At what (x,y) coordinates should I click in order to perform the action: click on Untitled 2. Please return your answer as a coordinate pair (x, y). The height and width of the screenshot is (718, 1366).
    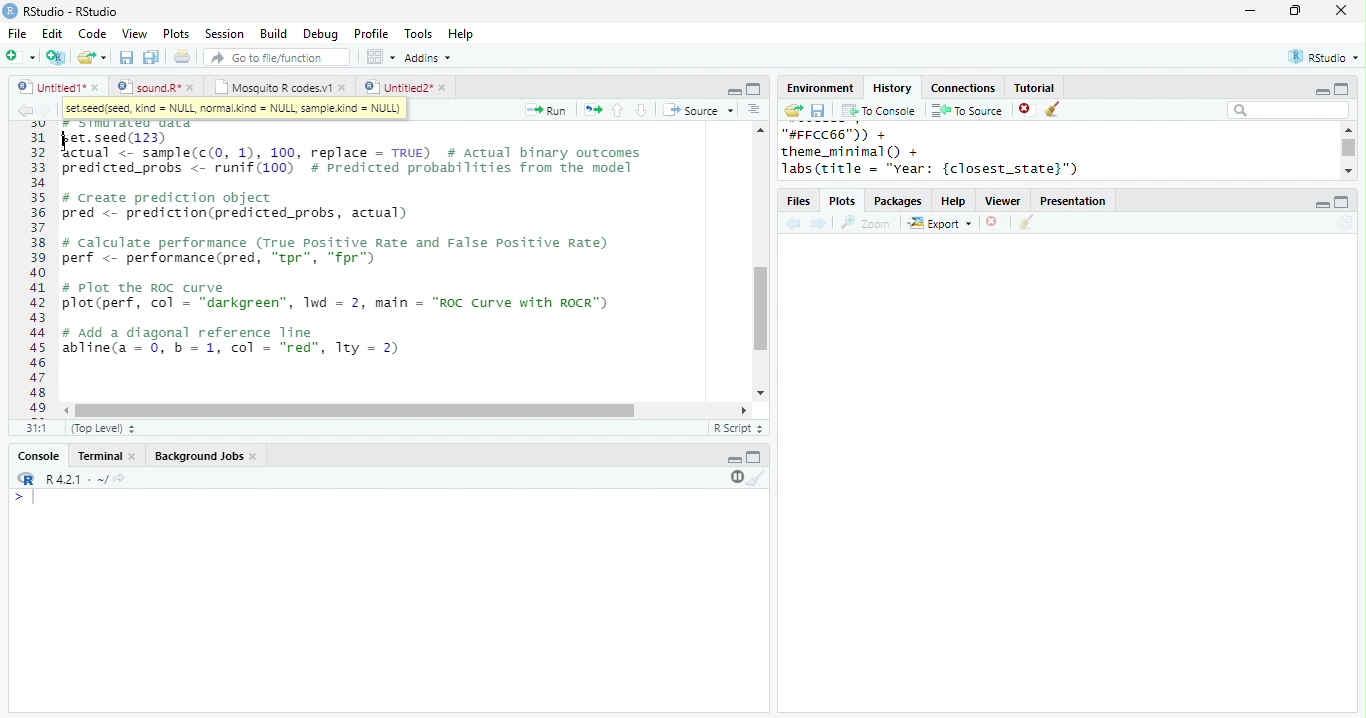
    Looking at the image, I should click on (397, 86).